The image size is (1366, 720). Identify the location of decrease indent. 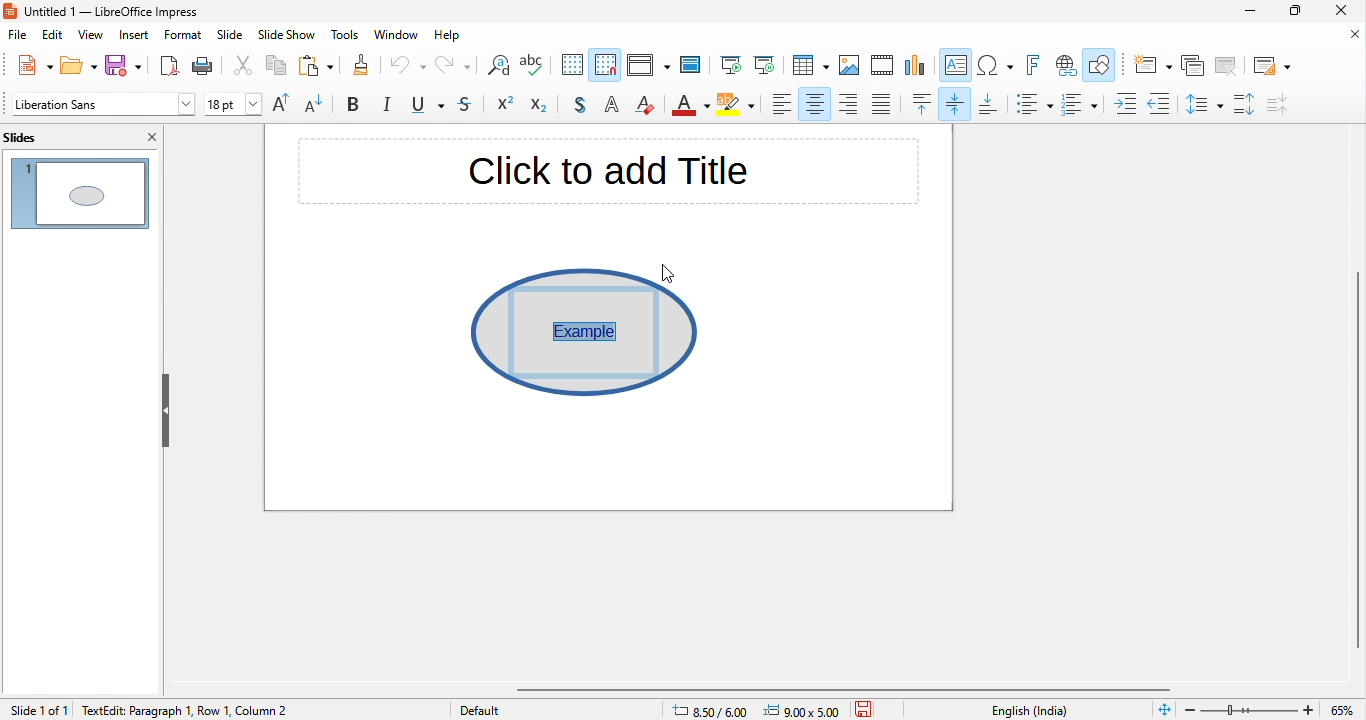
(1159, 101).